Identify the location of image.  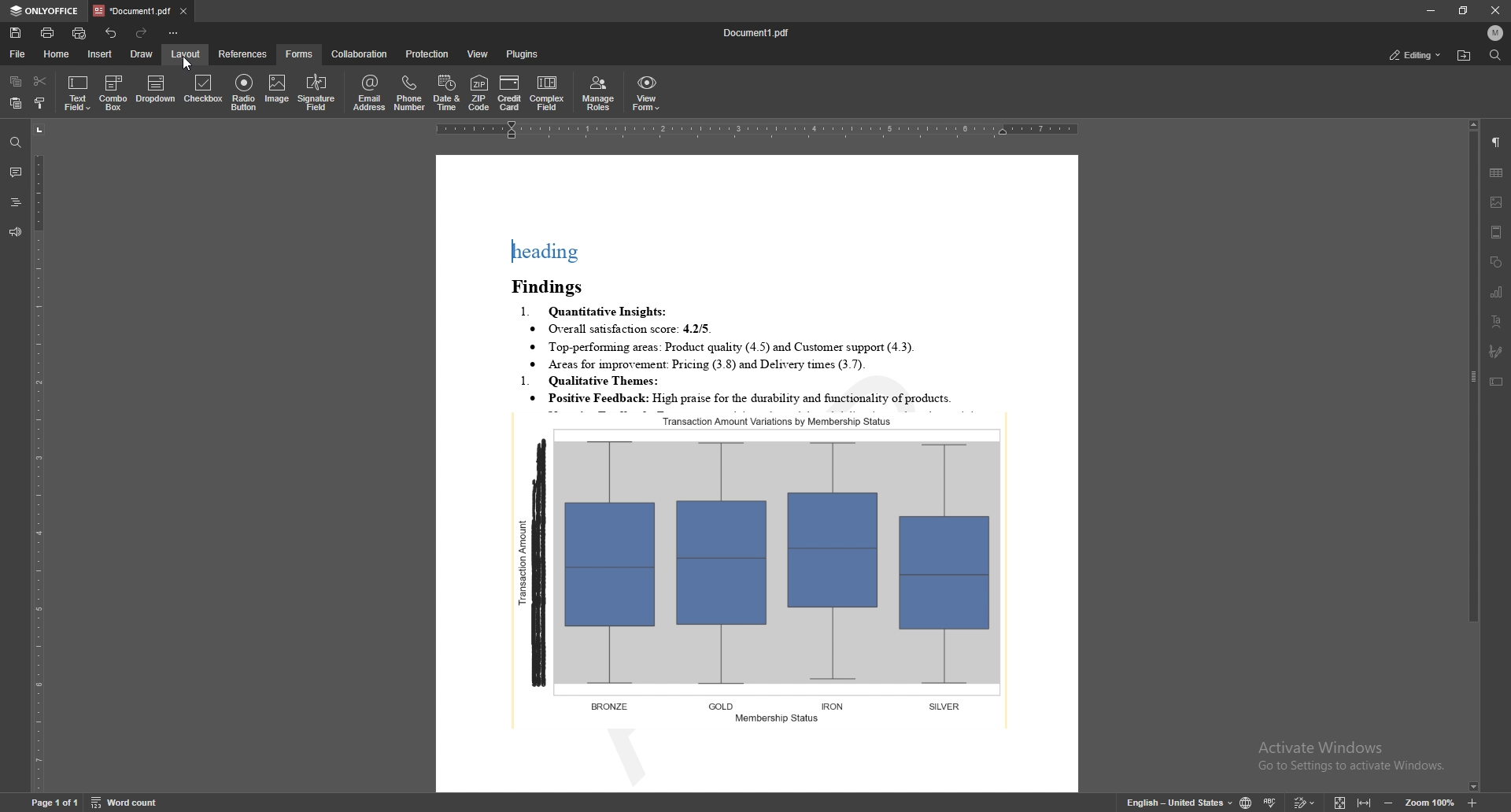
(279, 90).